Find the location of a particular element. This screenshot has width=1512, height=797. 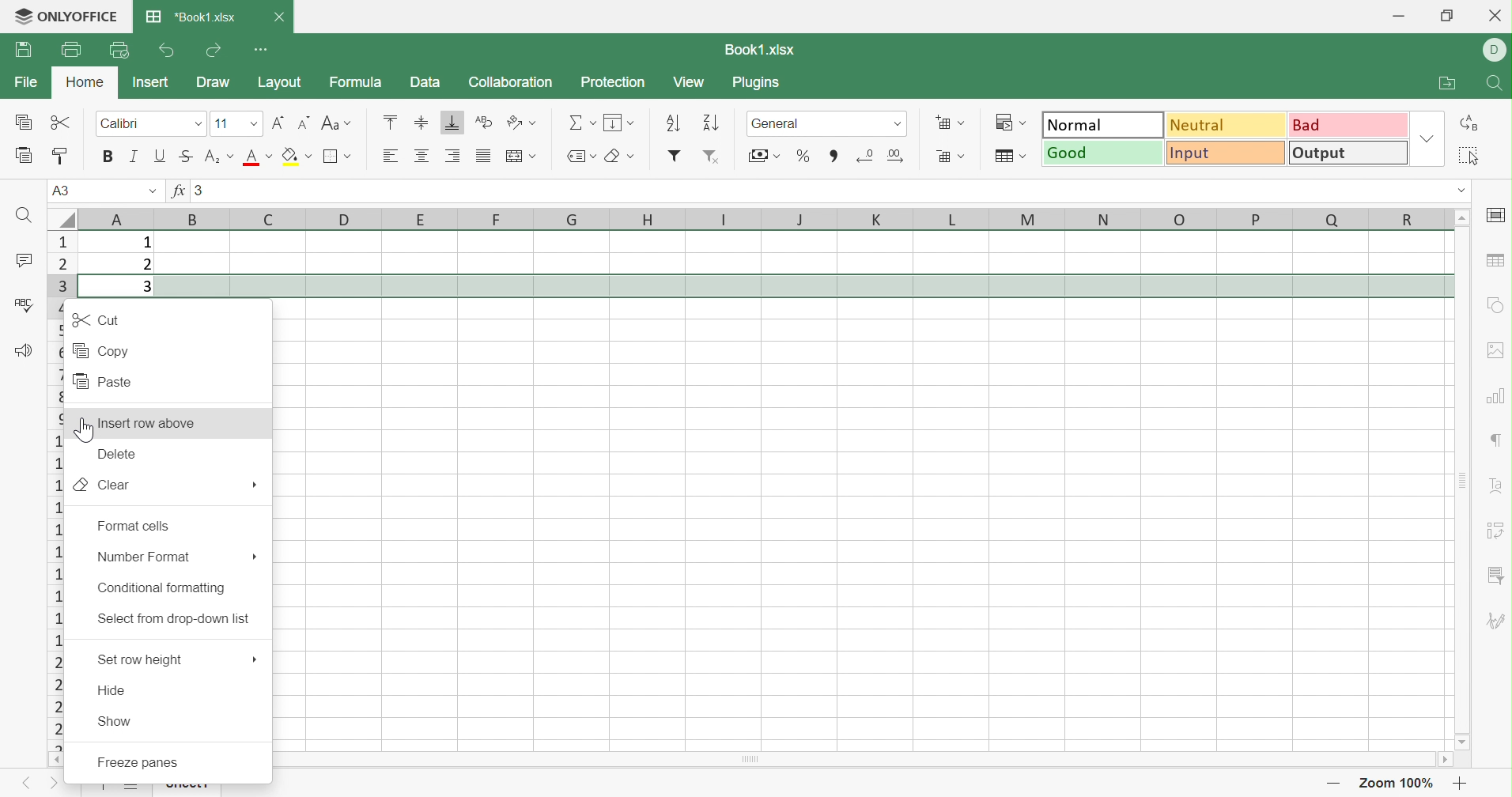

Remove filter is located at coordinates (713, 156).